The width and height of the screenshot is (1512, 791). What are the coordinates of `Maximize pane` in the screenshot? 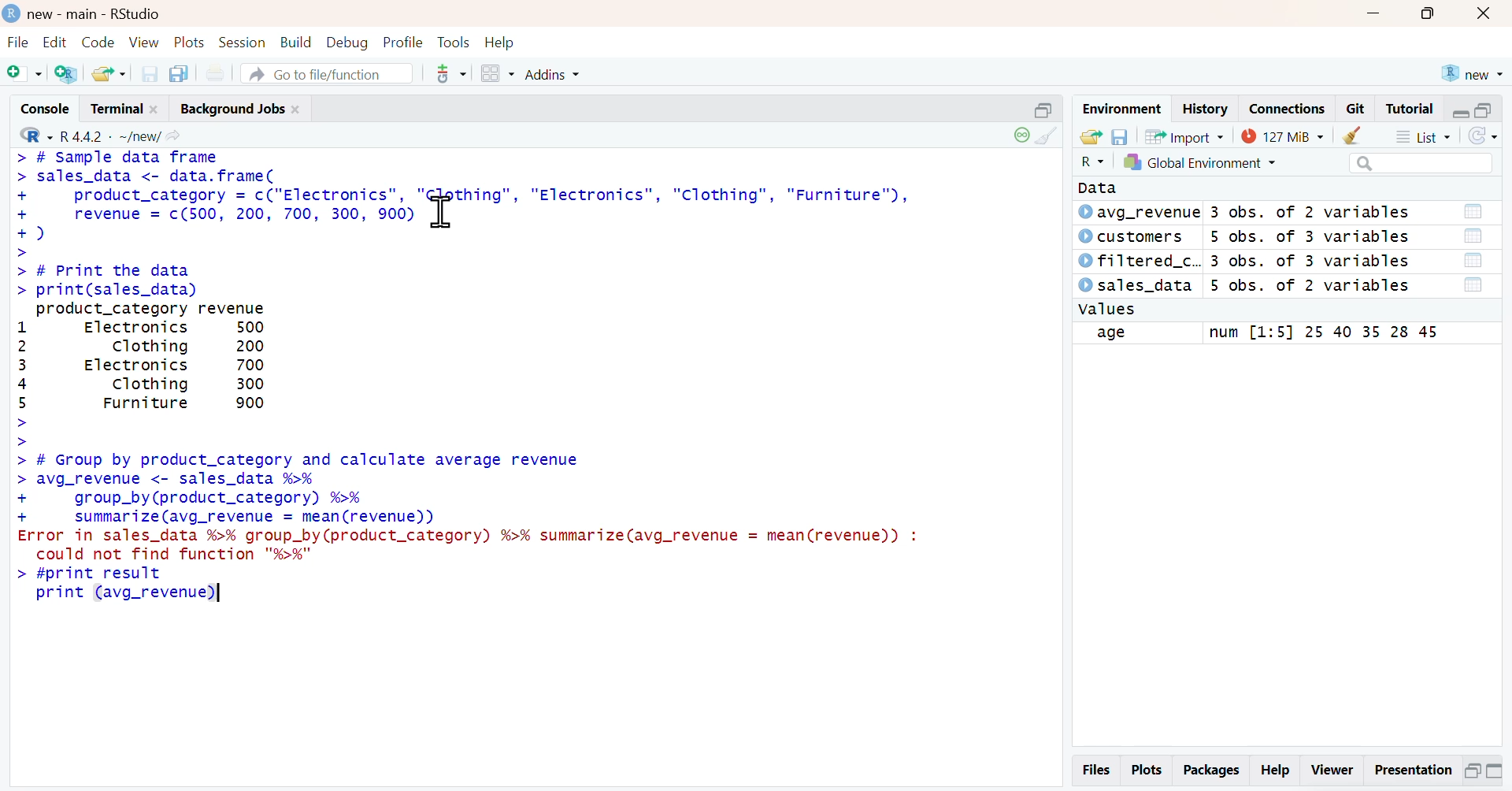 It's located at (1495, 773).